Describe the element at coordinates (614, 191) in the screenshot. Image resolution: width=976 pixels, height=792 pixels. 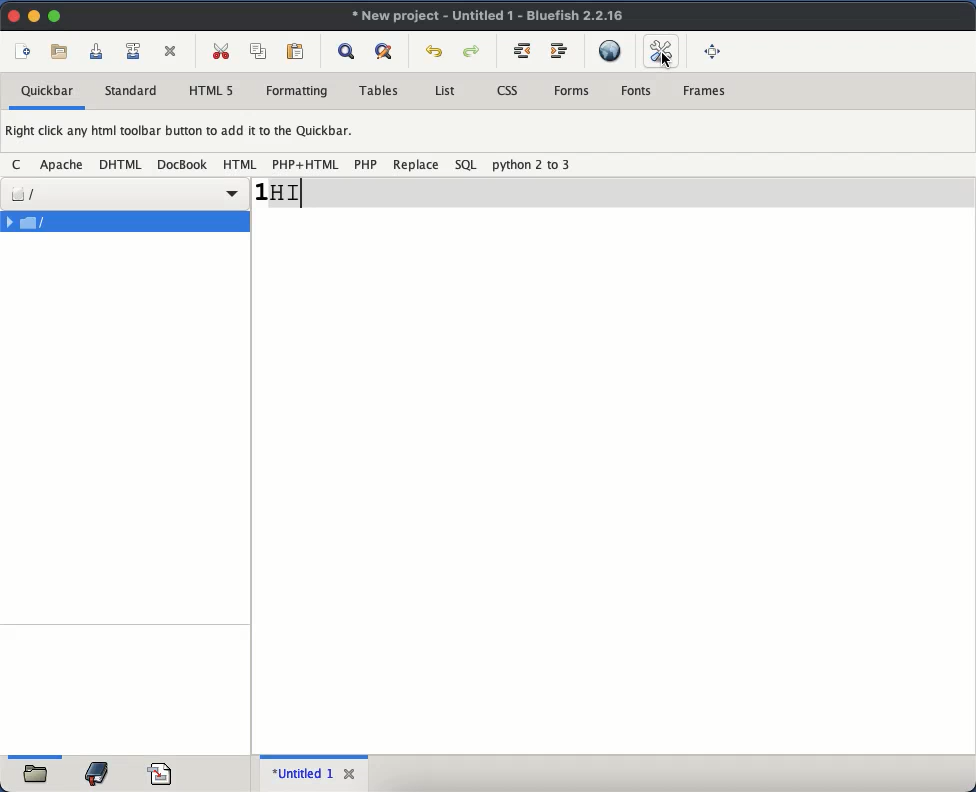
I see `line` at that location.